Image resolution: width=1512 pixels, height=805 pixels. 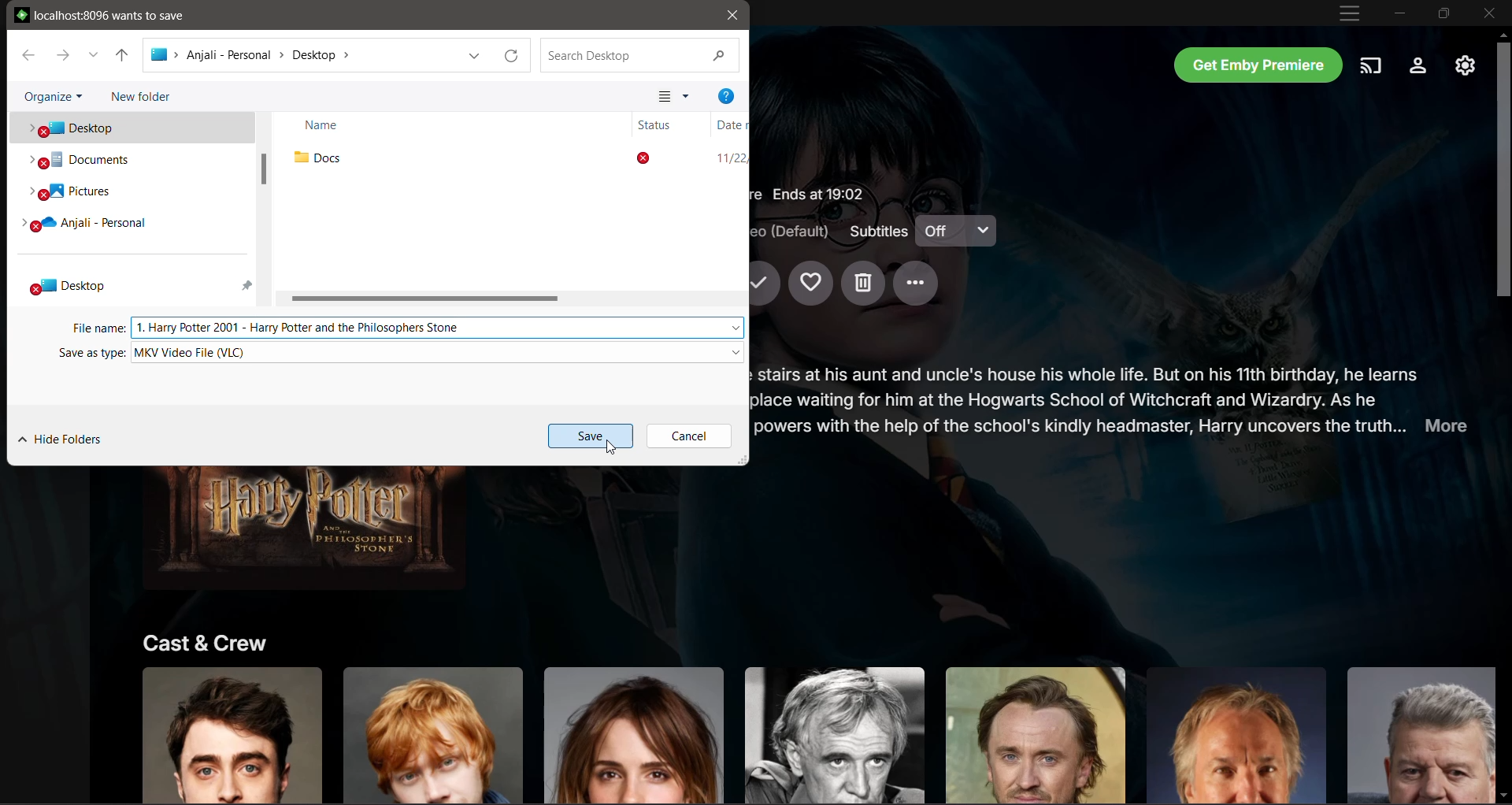 I want to click on Close, so click(x=1489, y=13).